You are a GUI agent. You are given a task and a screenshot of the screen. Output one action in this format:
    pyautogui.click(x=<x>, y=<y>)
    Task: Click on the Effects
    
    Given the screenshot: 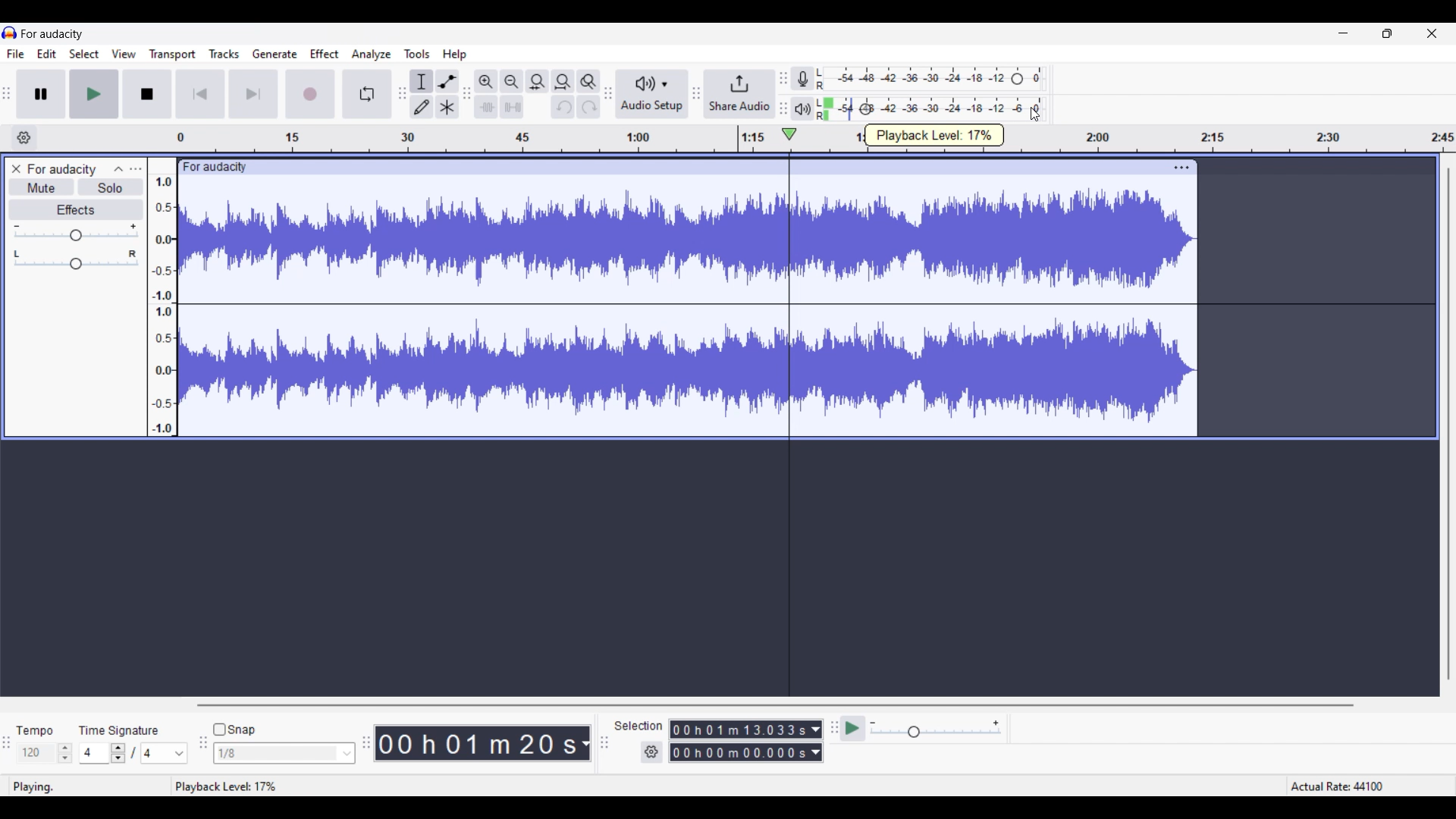 What is the action you would take?
    pyautogui.click(x=76, y=209)
    